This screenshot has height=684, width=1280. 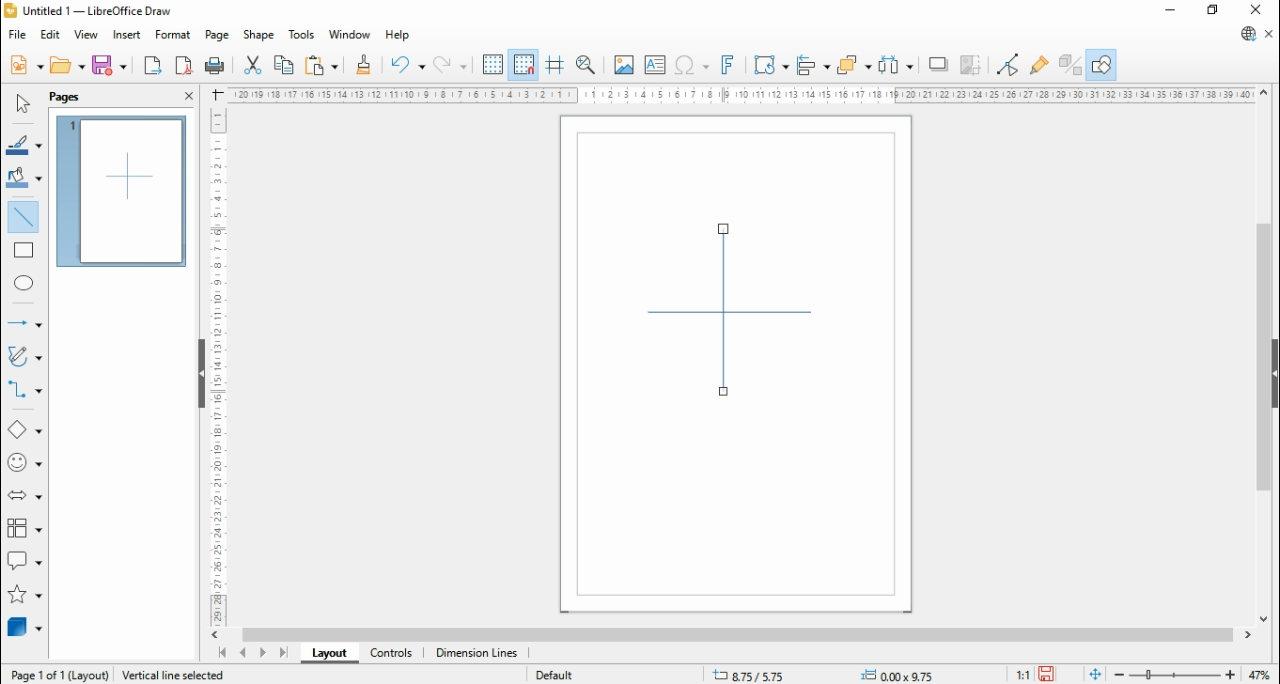 What do you see at coordinates (1270, 34) in the screenshot?
I see `close document` at bounding box center [1270, 34].